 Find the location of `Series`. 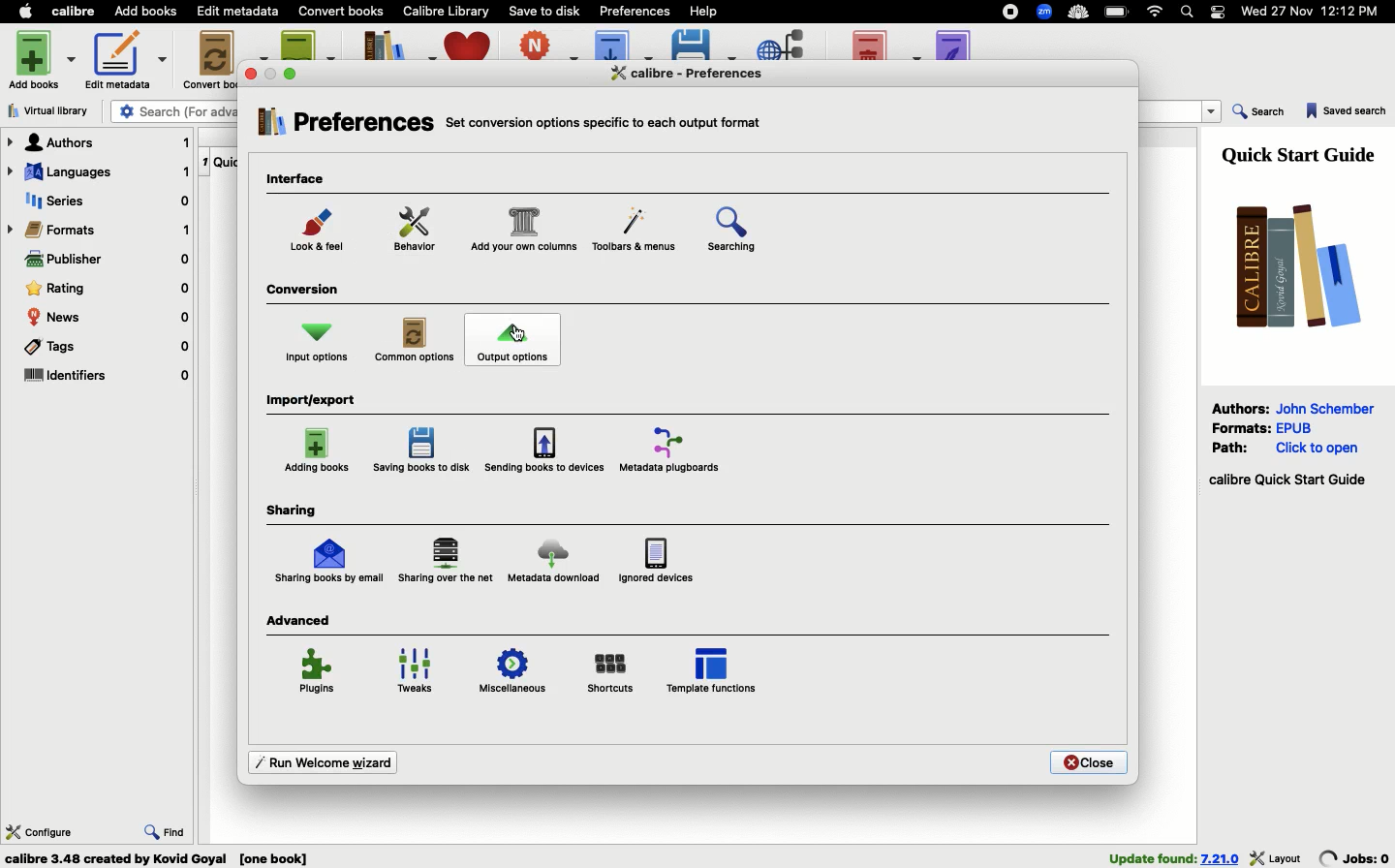

Series is located at coordinates (104, 202).